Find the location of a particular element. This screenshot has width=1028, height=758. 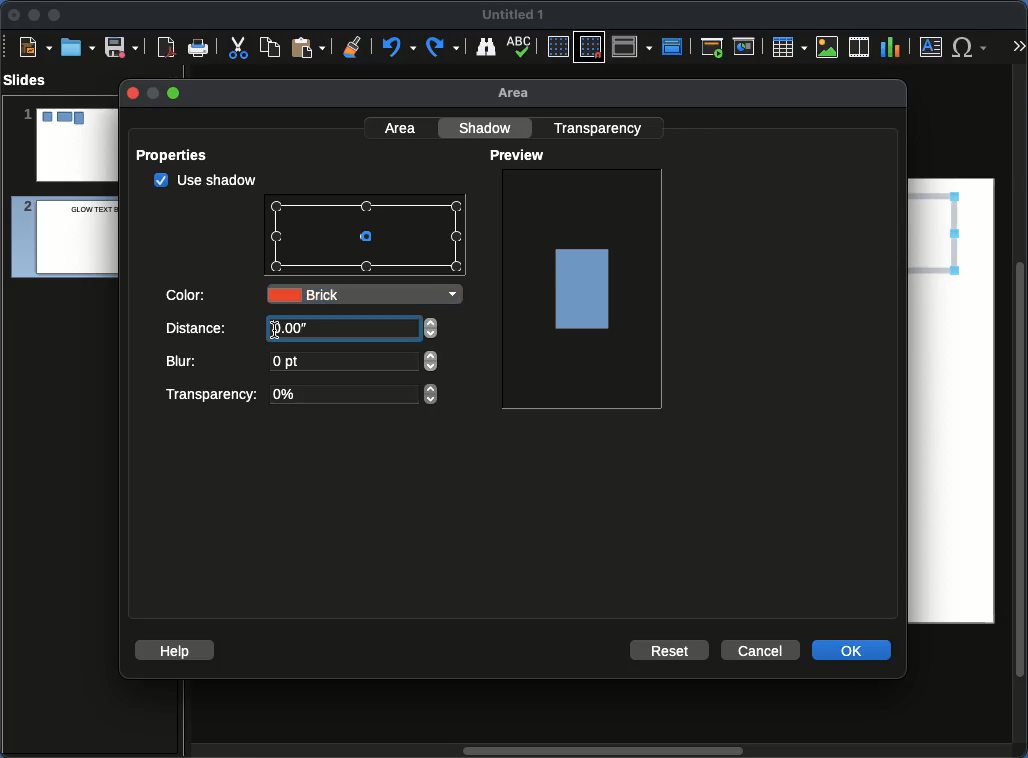

Current slide is located at coordinates (747, 47).